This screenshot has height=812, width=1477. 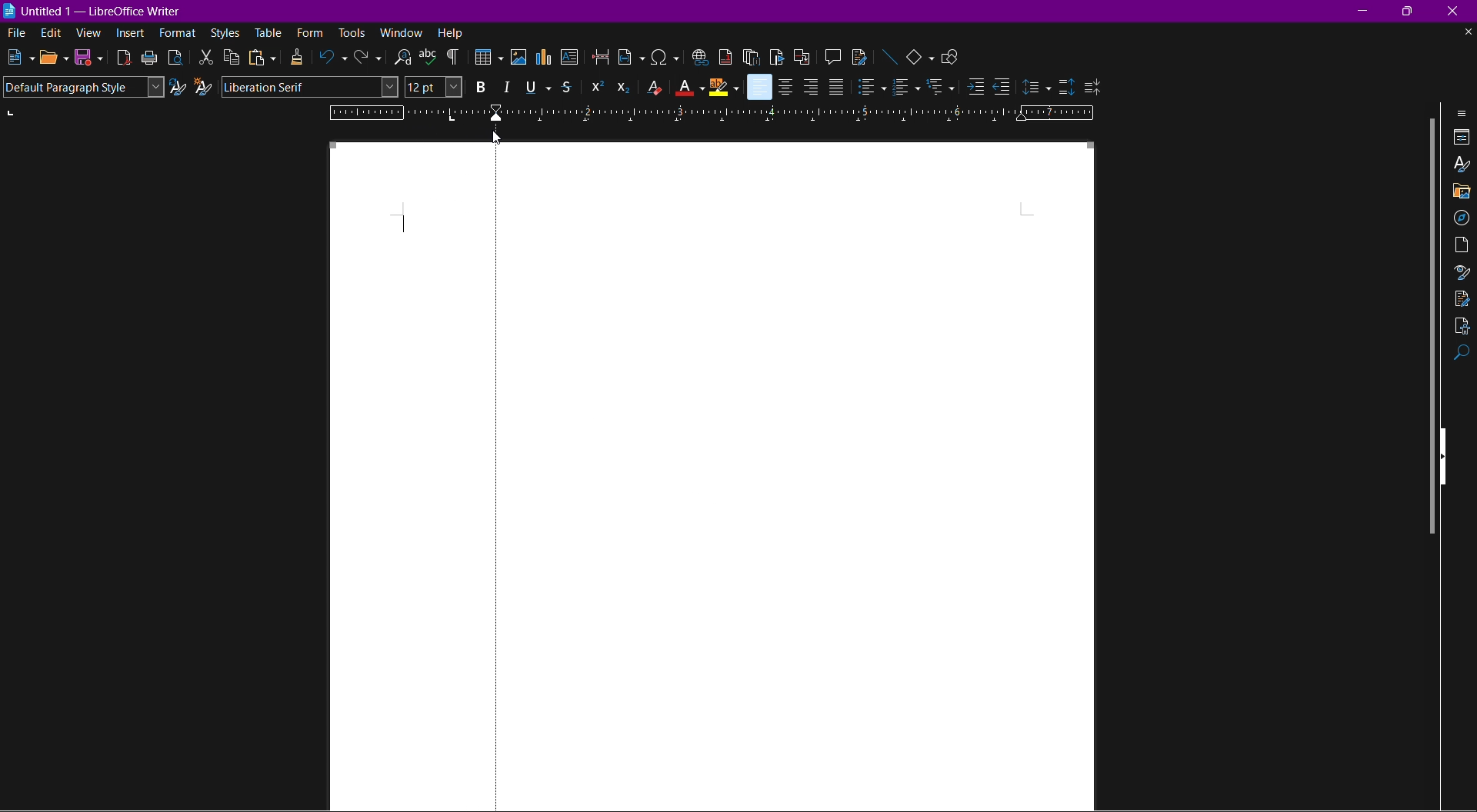 What do you see at coordinates (50, 33) in the screenshot?
I see `edit` at bounding box center [50, 33].